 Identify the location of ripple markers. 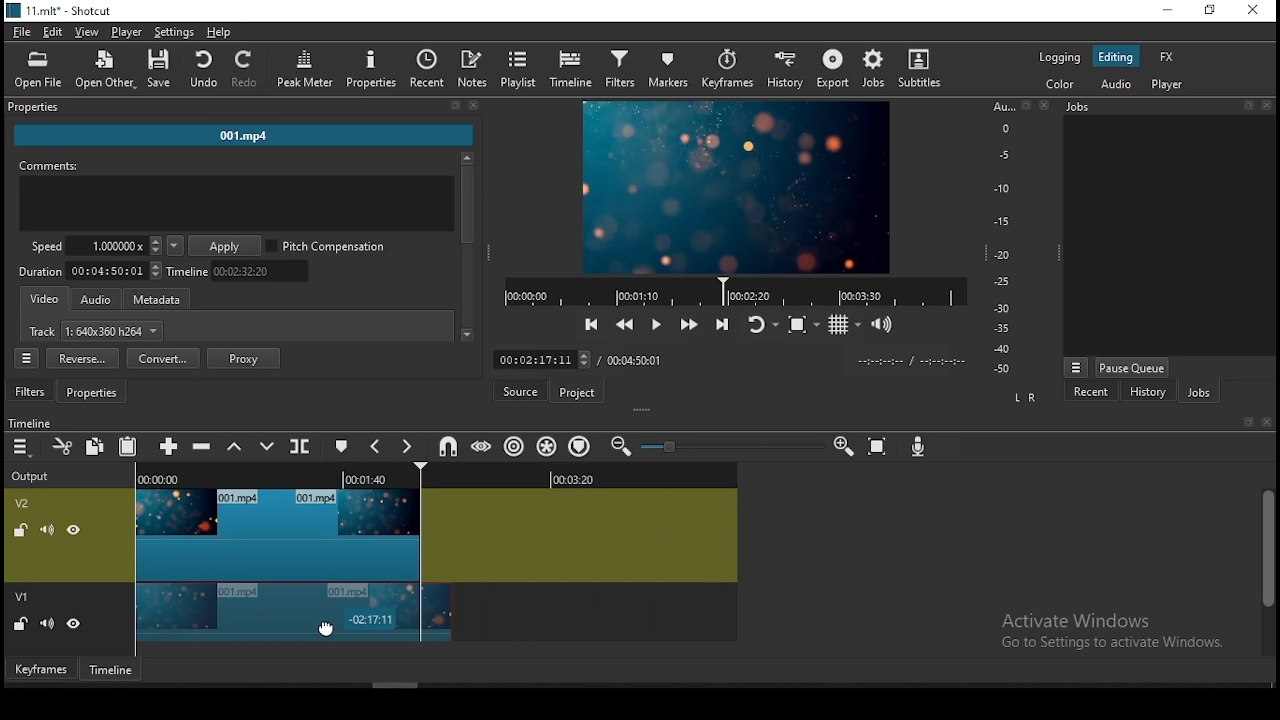
(578, 446).